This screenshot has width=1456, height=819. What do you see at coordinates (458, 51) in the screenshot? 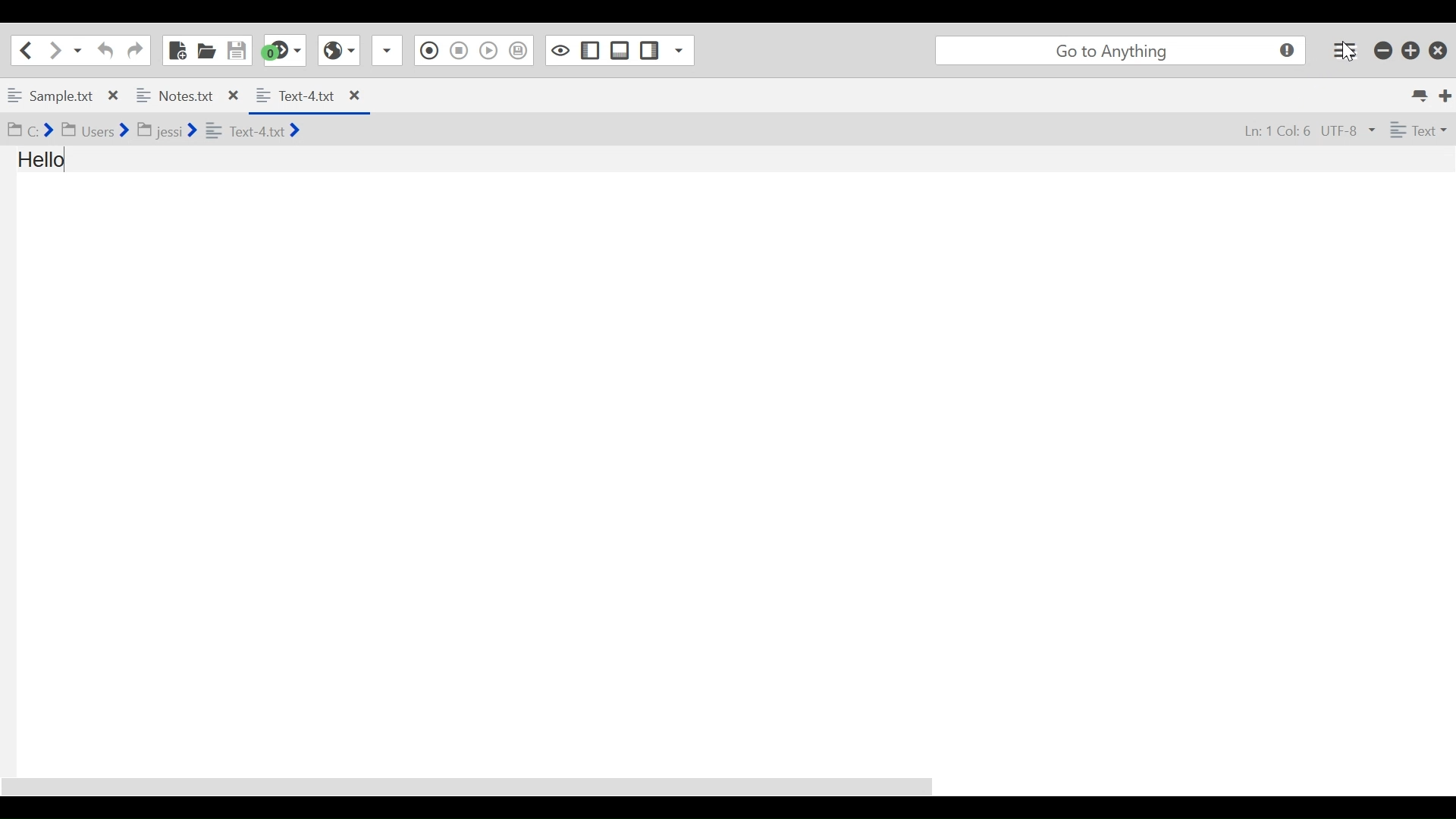
I see `Stop Recording Macro` at bounding box center [458, 51].